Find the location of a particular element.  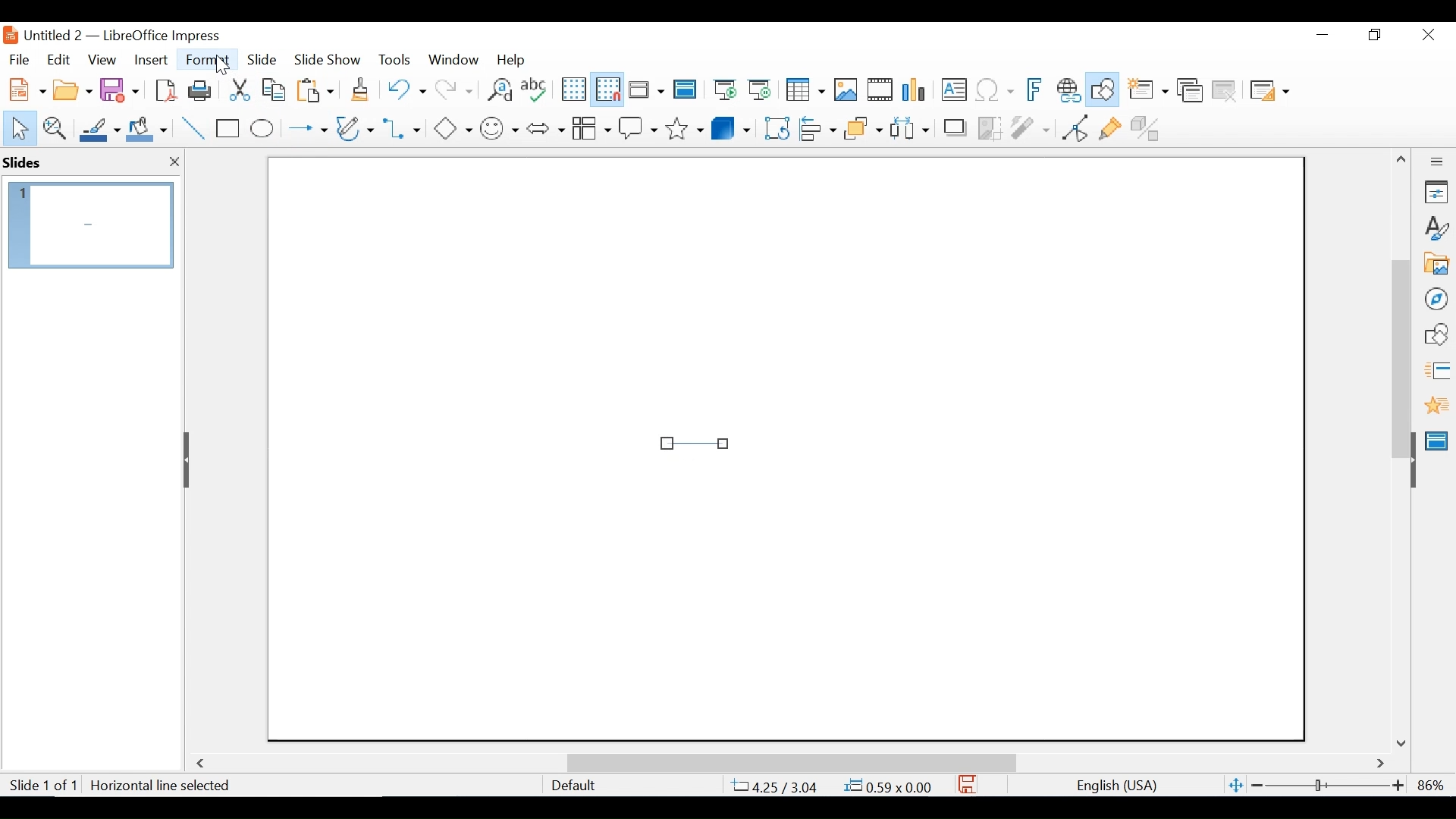

Close is located at coordinates (1426, 36).